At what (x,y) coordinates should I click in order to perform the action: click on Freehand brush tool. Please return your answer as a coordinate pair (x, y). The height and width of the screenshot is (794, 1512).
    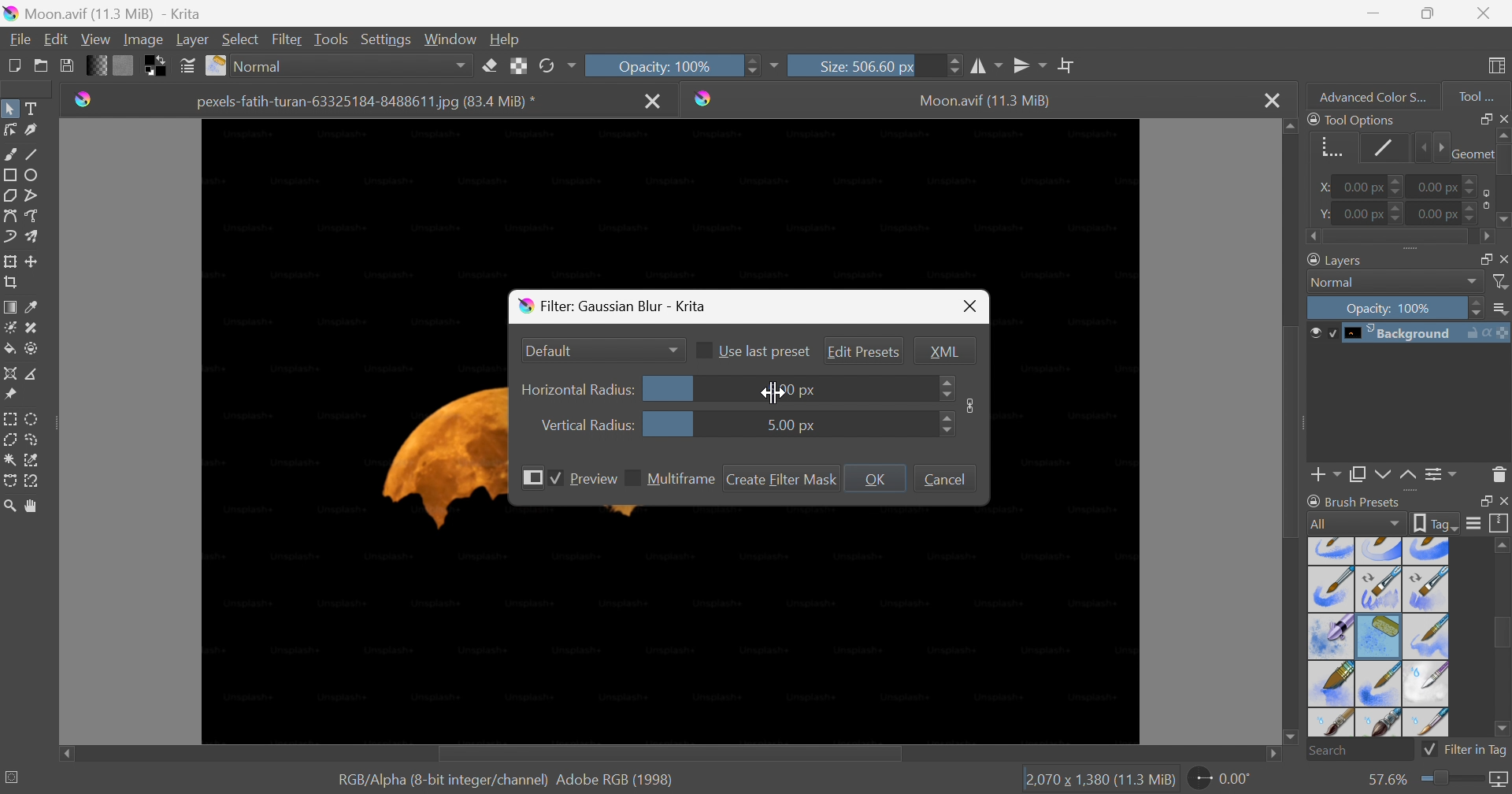
    Looking at the image, I should click on (12, 153).